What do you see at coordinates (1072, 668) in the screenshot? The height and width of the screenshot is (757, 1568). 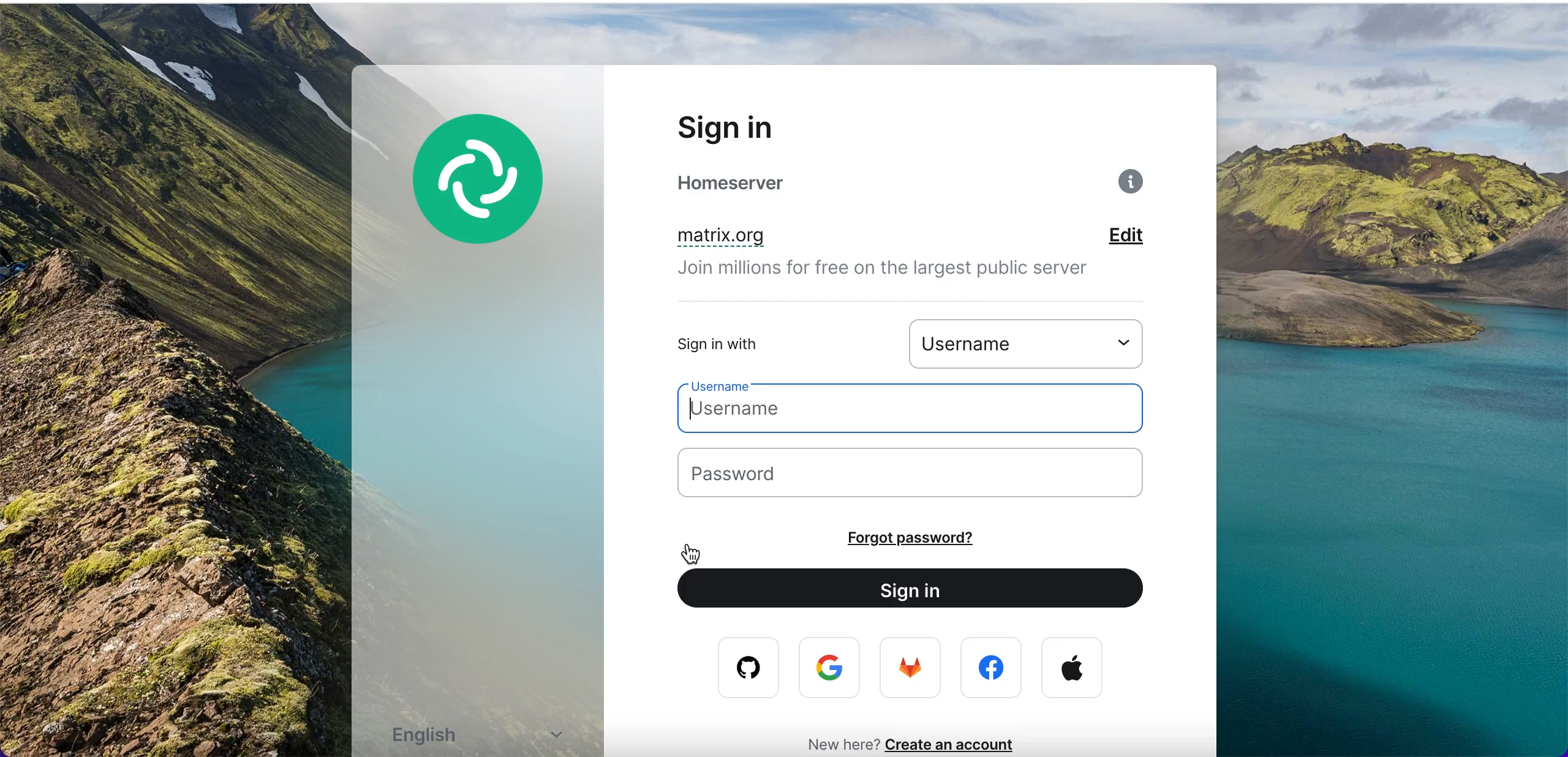 I see `apple logo` at bounding box center [1072, 668].